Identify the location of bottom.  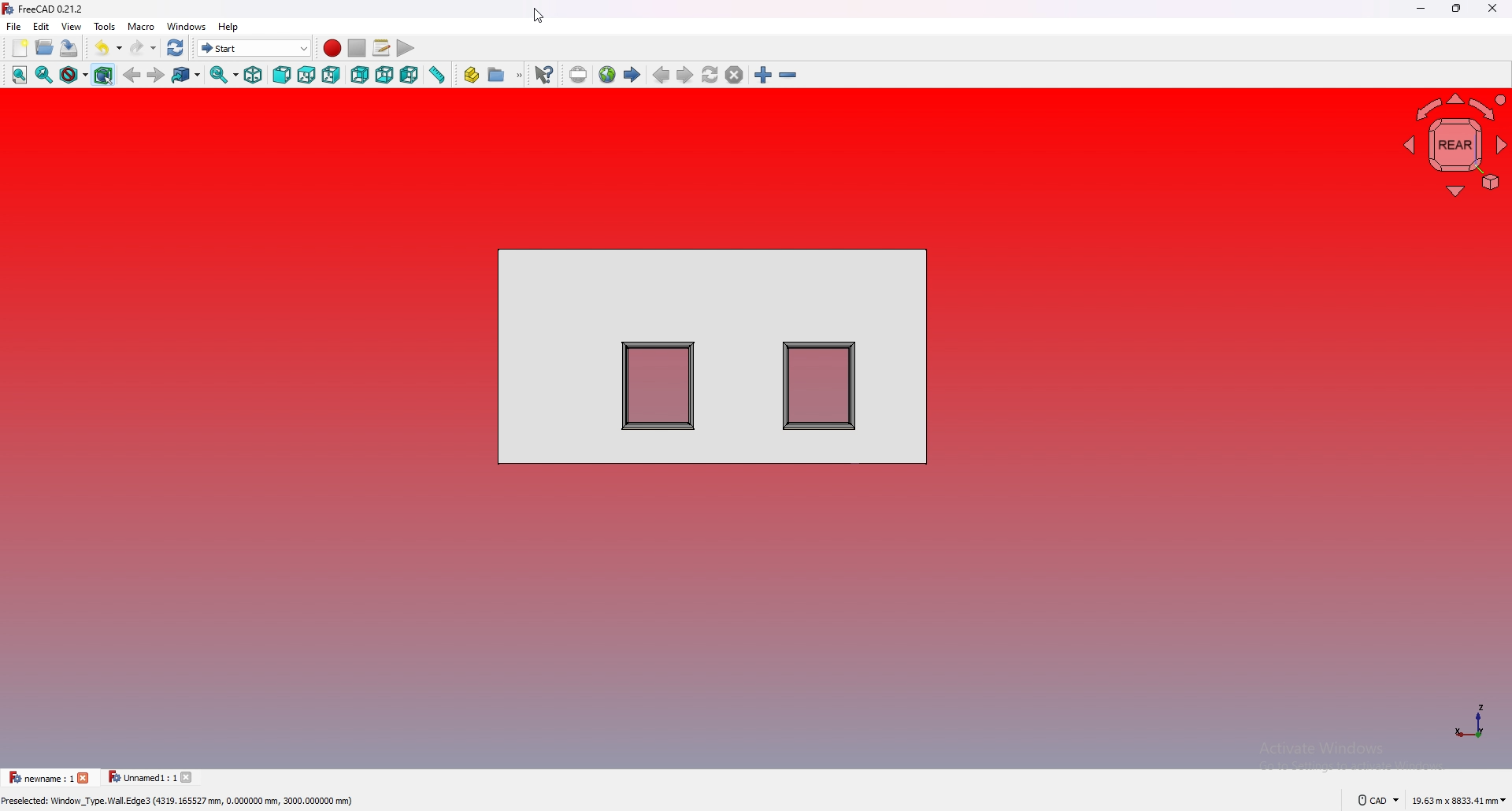
(385, 75).